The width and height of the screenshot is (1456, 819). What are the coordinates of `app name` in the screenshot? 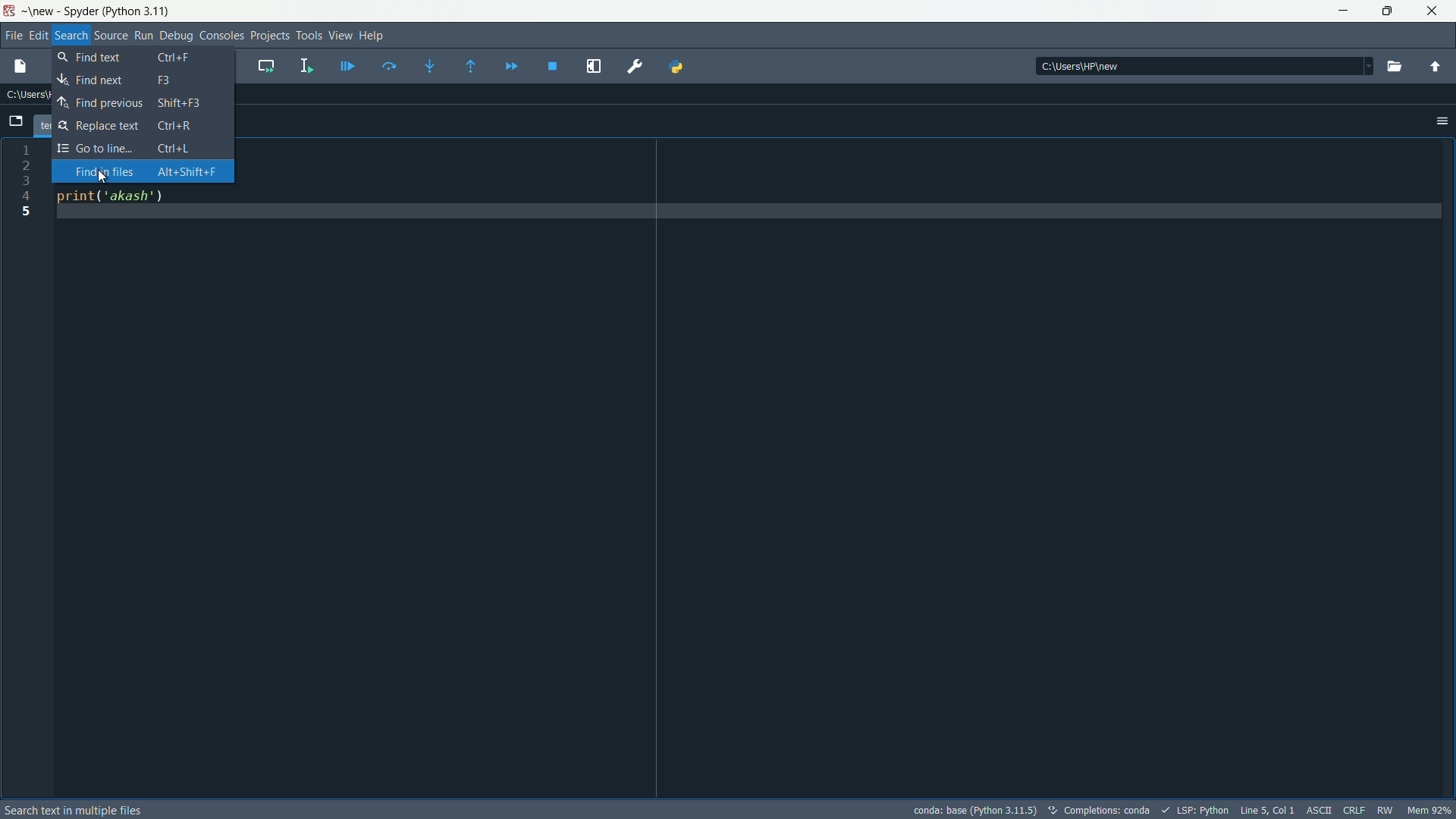 It's located at (80, 12).